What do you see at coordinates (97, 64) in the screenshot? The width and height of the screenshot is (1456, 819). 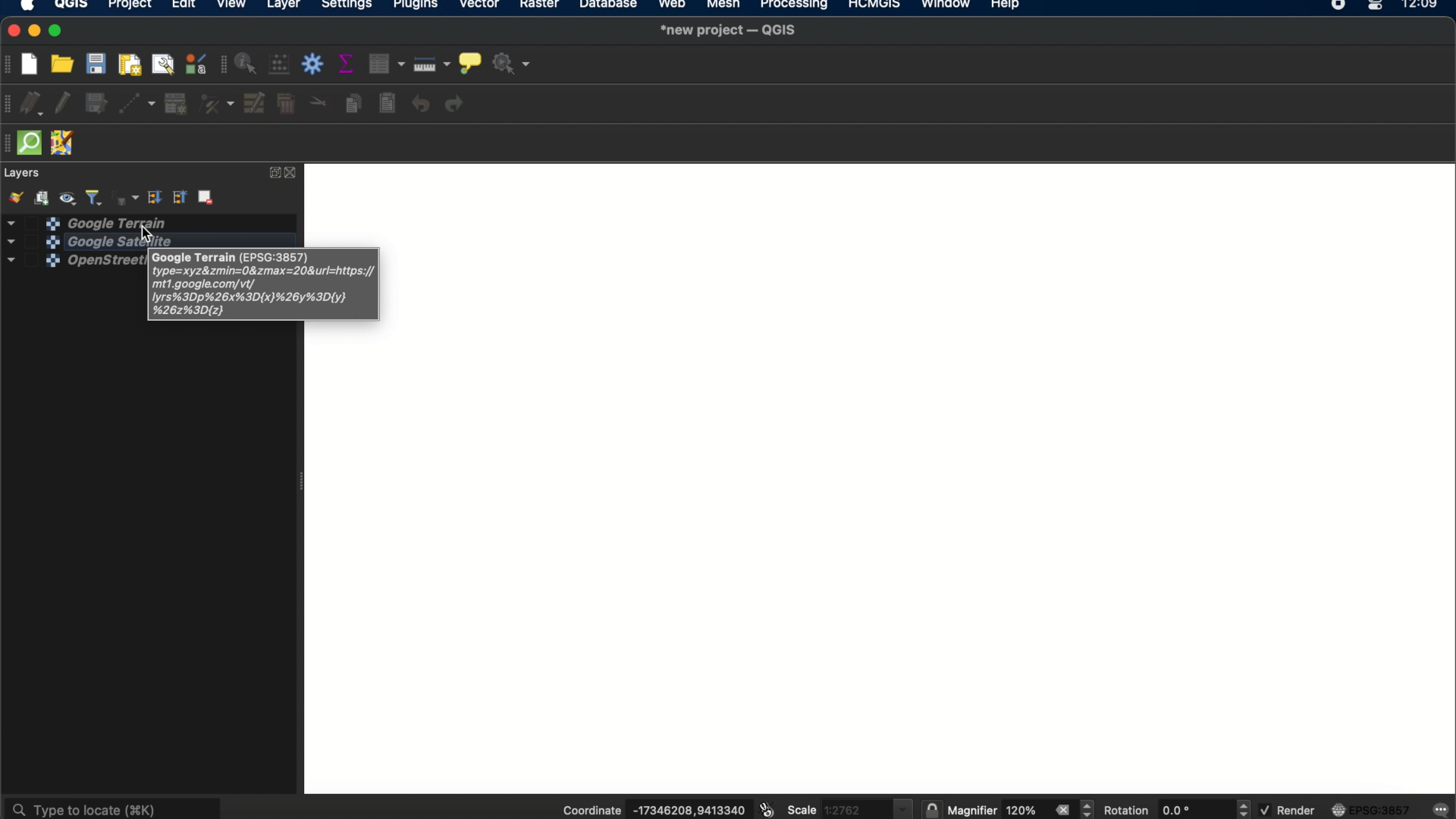 I see `save project t` at bounding box center [97, 64].